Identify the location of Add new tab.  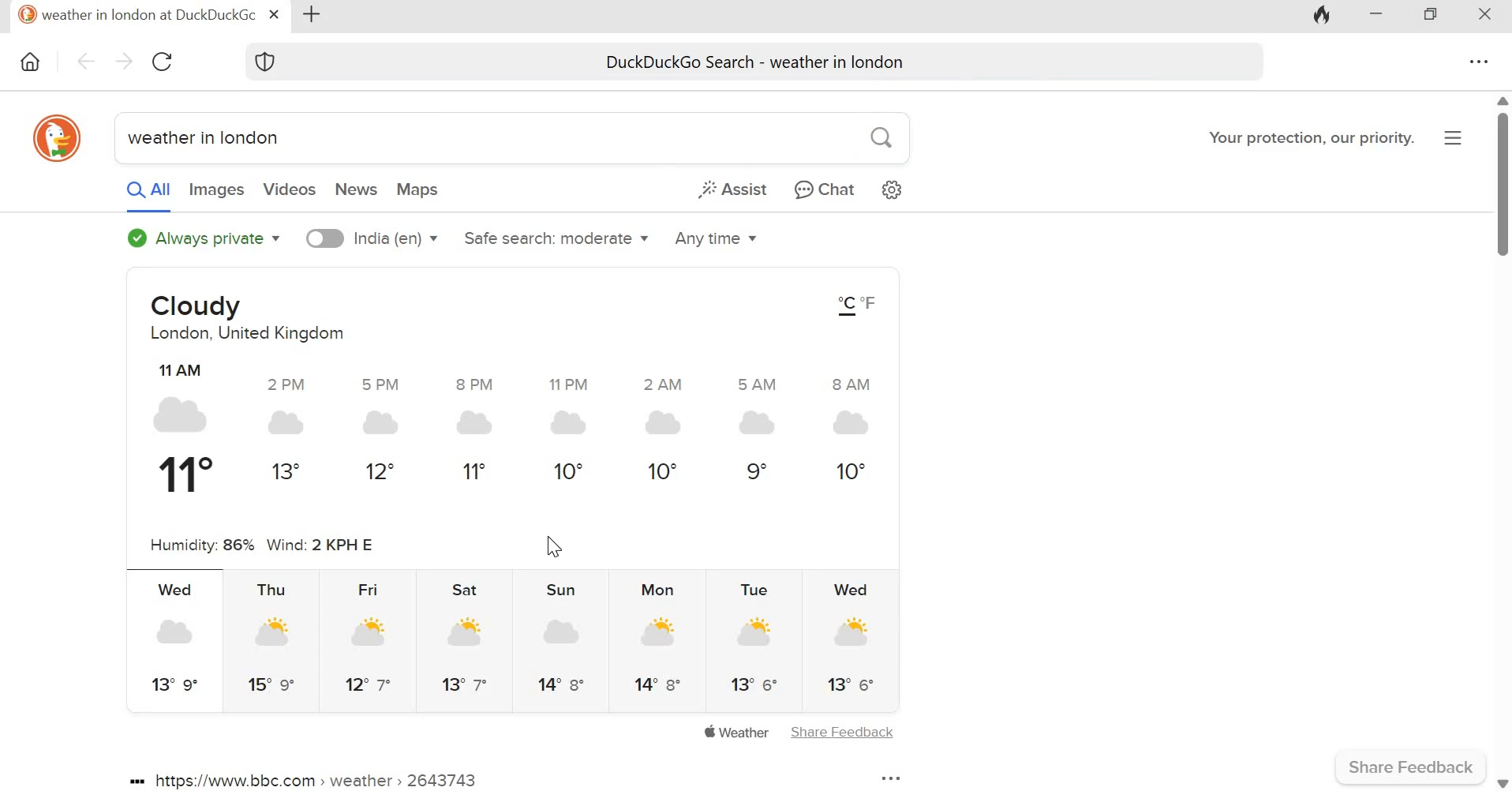
(313, 15).